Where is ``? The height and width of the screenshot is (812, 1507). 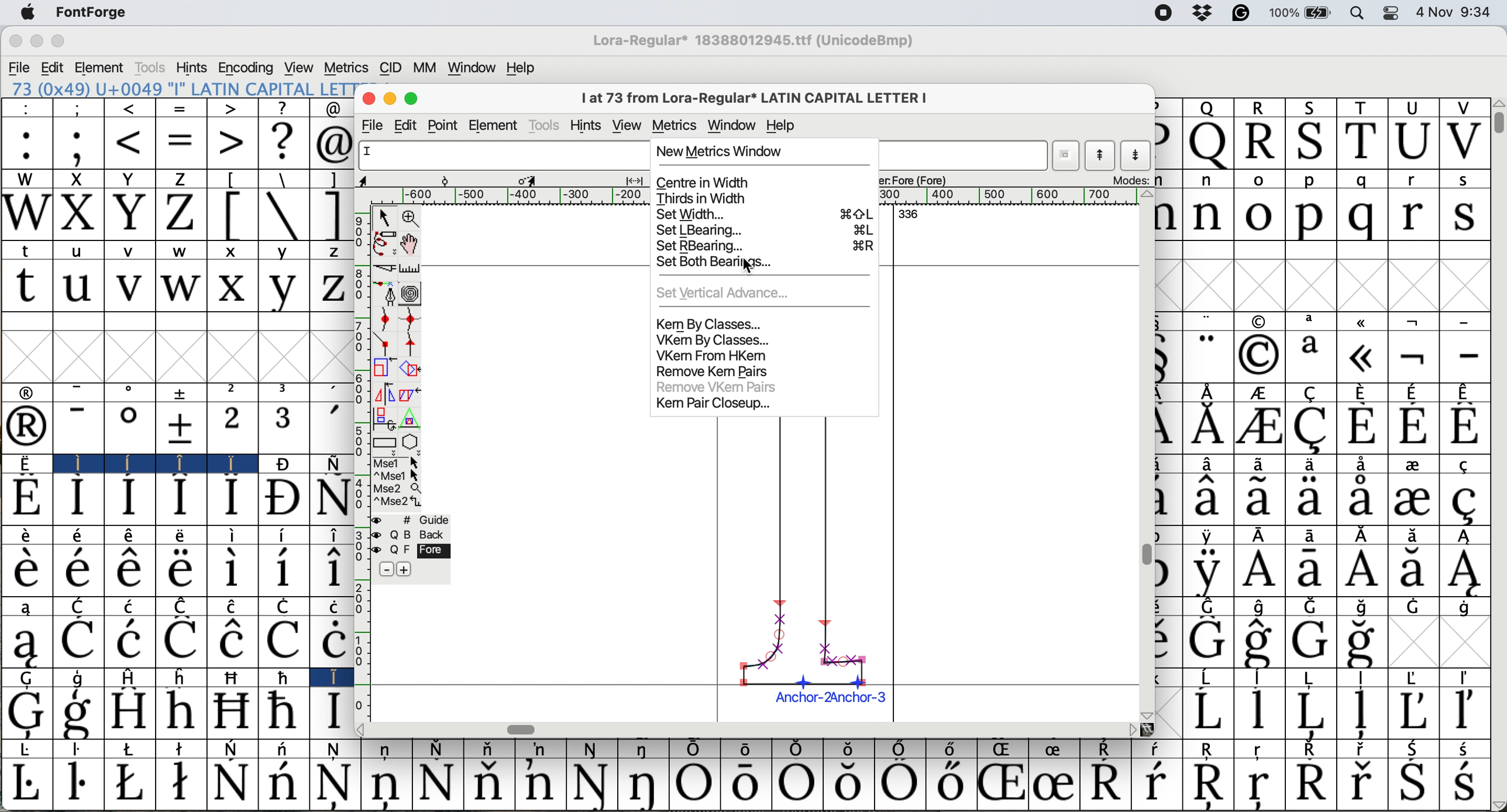  is located at coordinates (380, 519).